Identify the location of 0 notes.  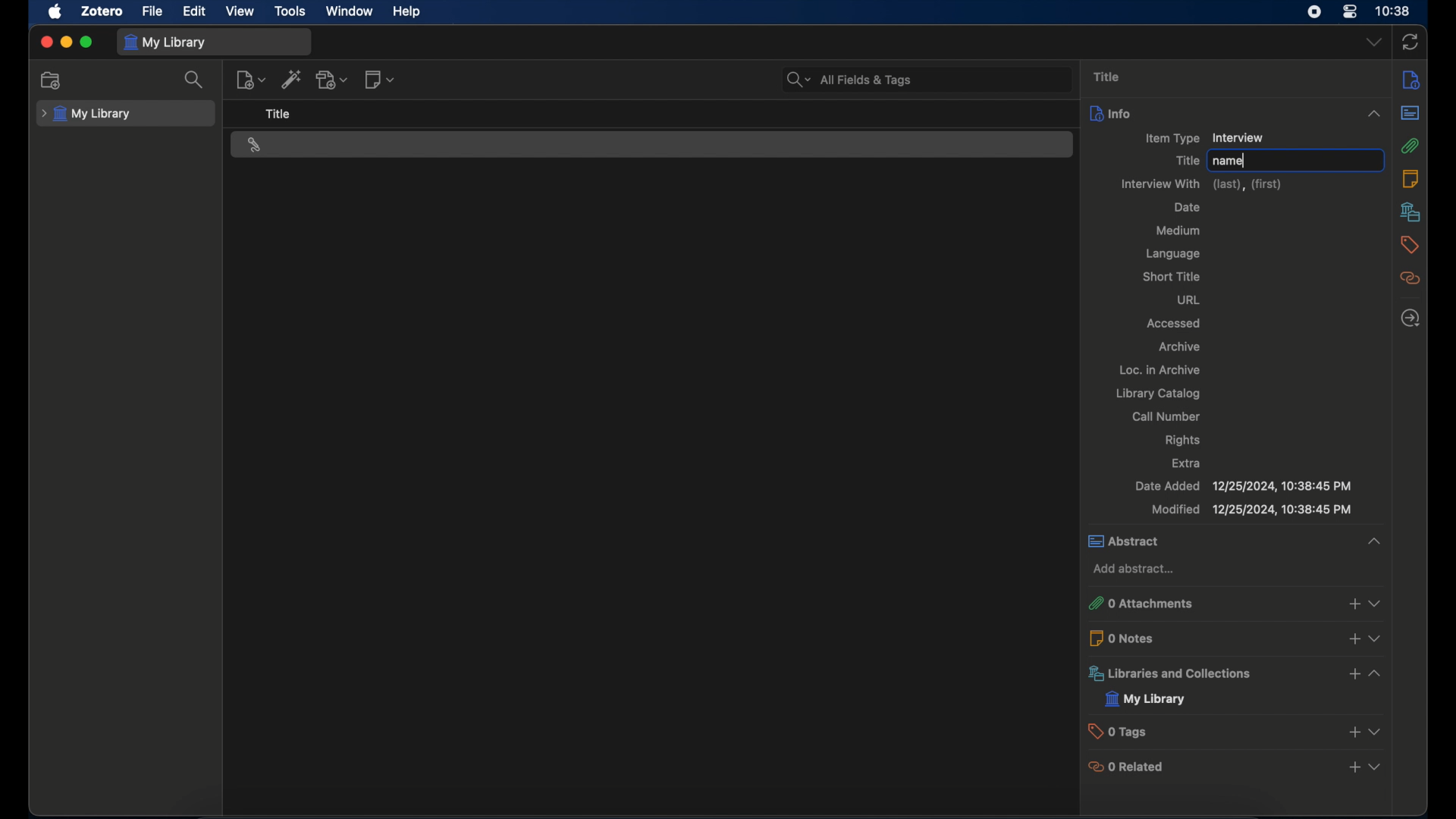
(1125, 638).